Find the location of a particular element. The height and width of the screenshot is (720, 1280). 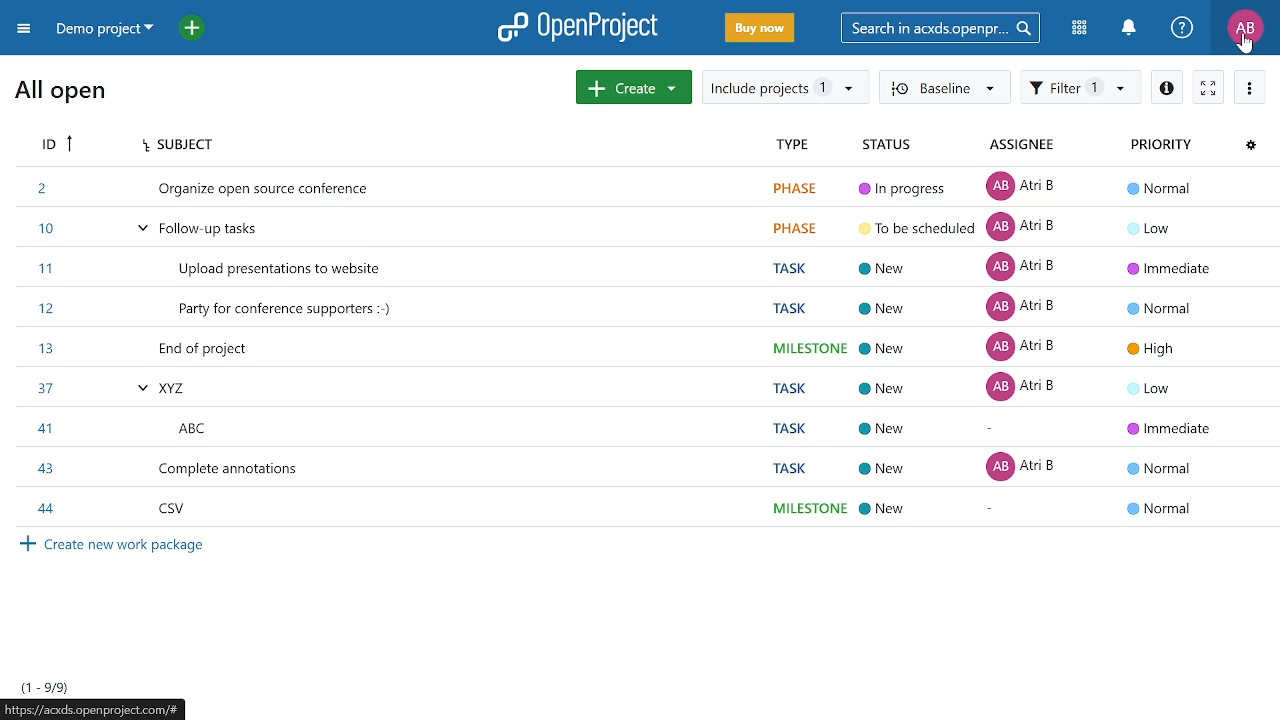

Assignee is located at coordinates (1029, 145).